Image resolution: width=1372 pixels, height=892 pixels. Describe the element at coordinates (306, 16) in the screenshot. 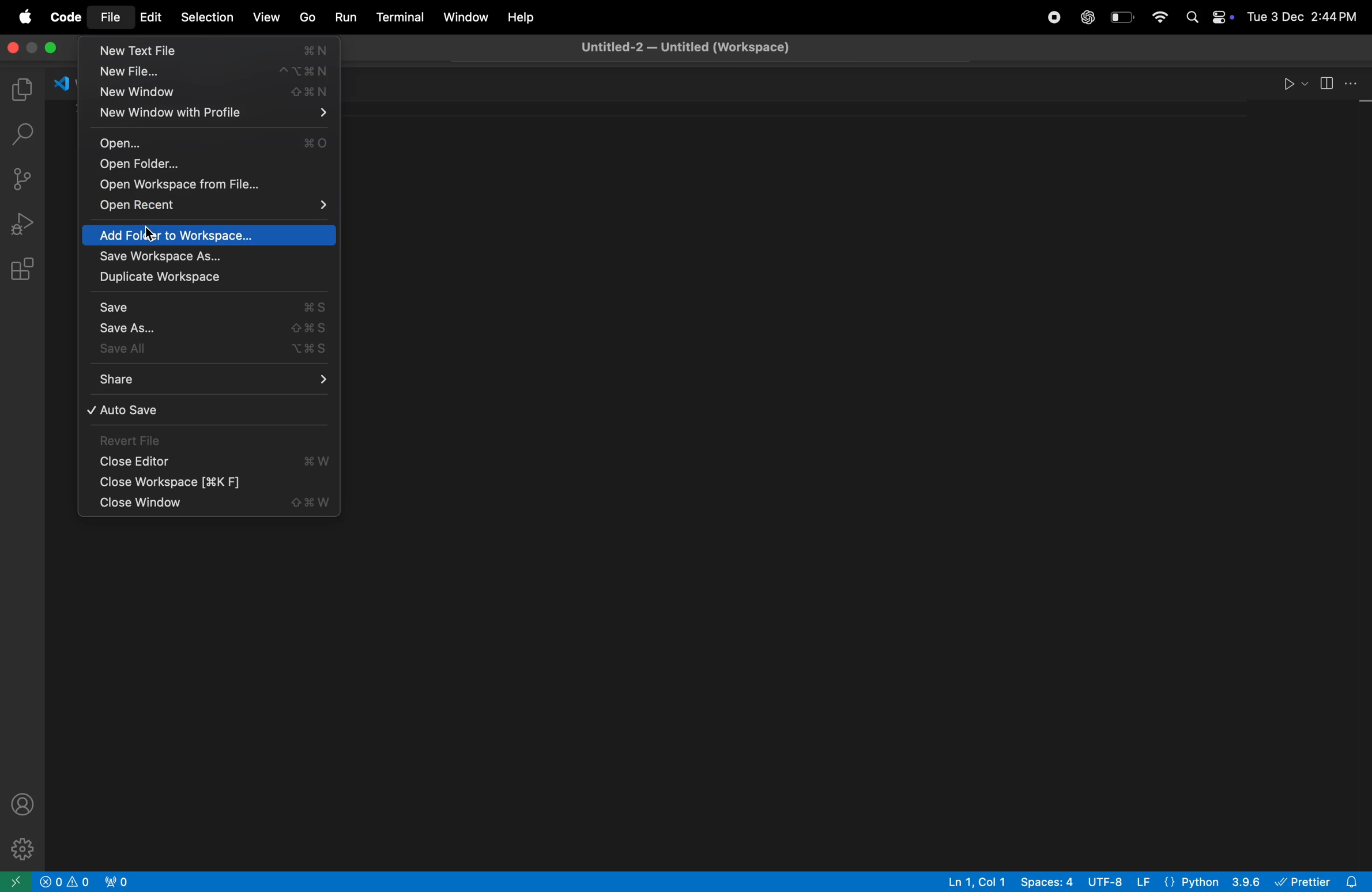

I see `go` at that location.